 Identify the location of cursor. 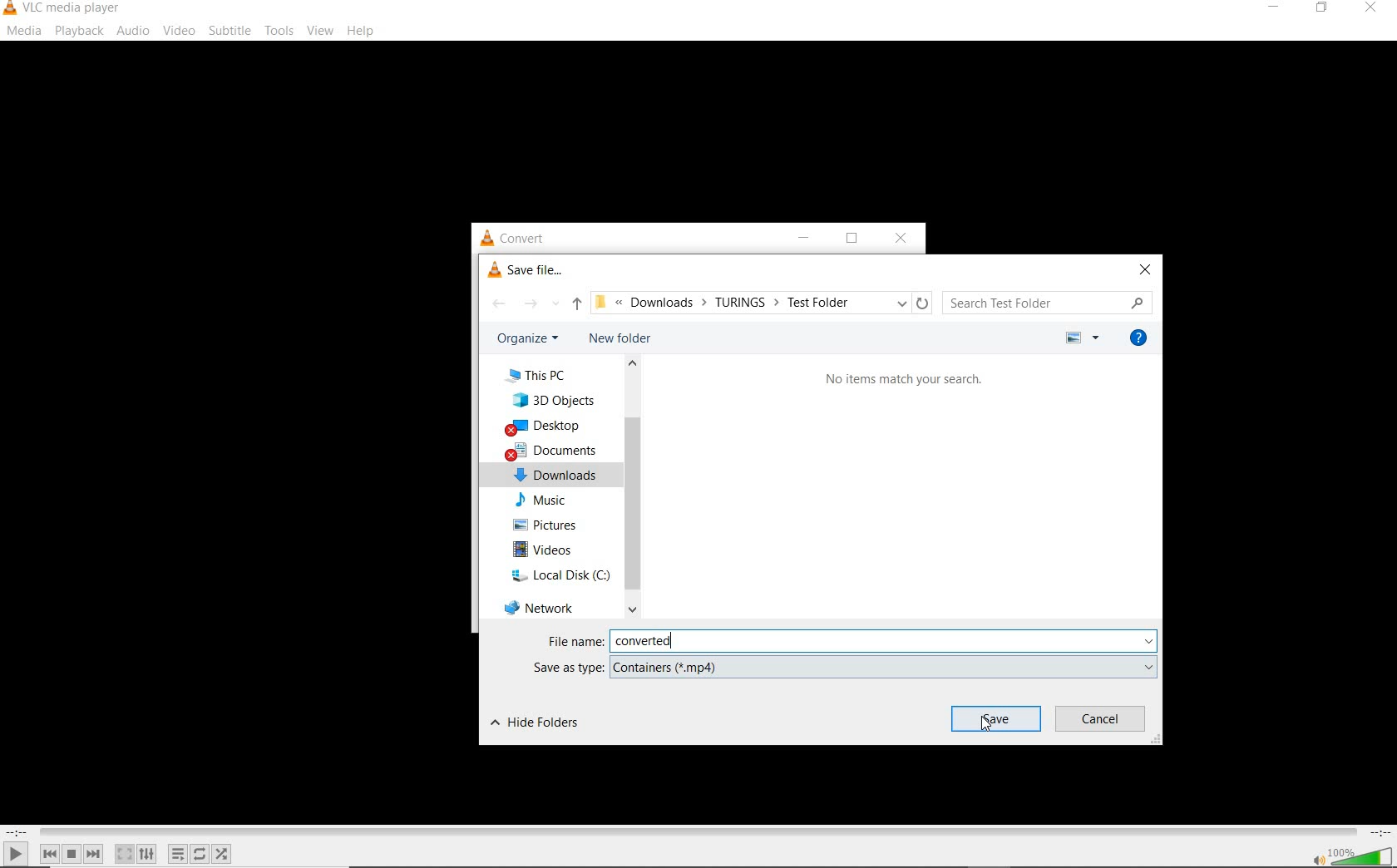
(987, 723).